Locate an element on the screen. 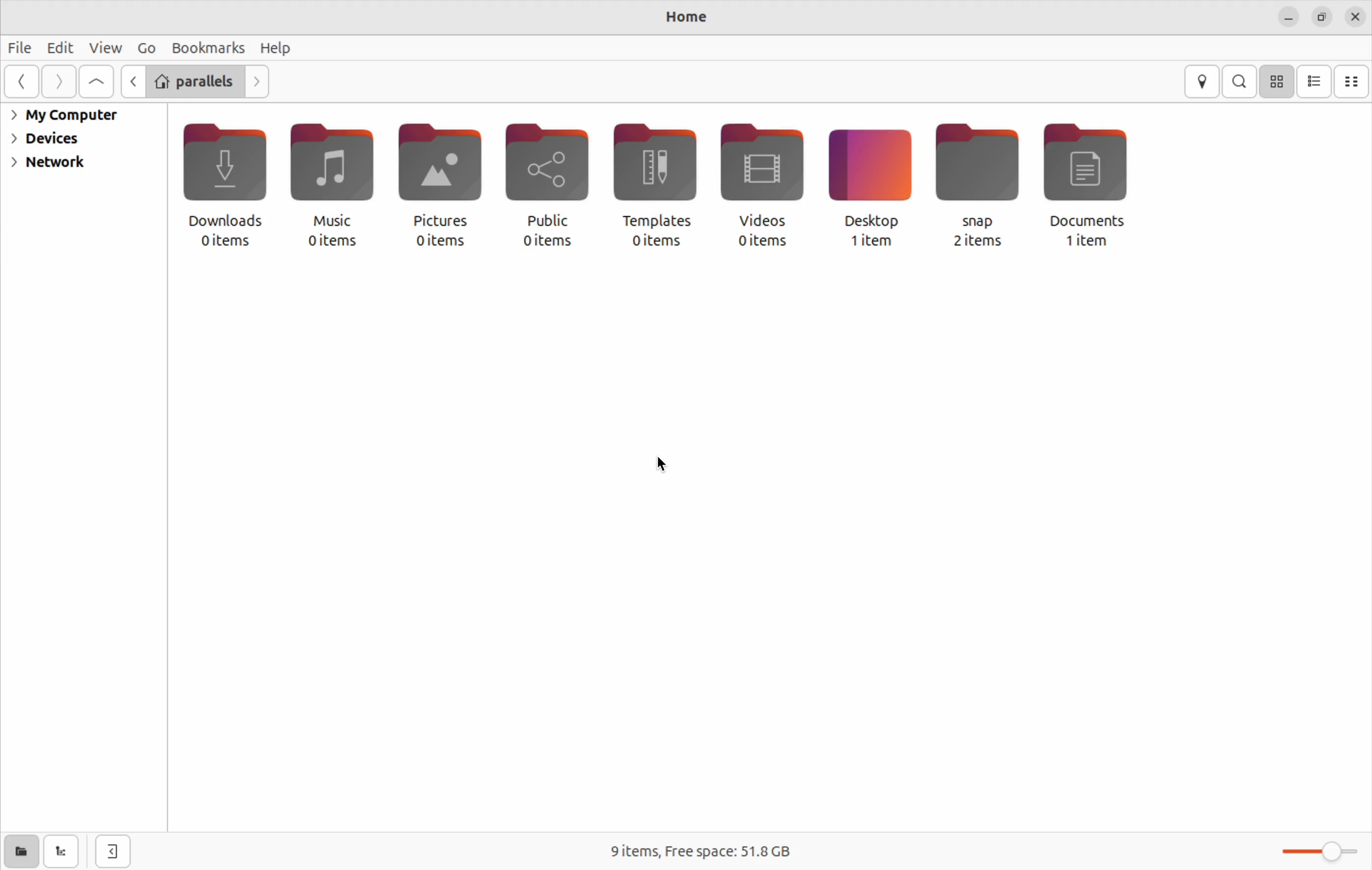  snap 2 items is located at coordinates (972, 188).